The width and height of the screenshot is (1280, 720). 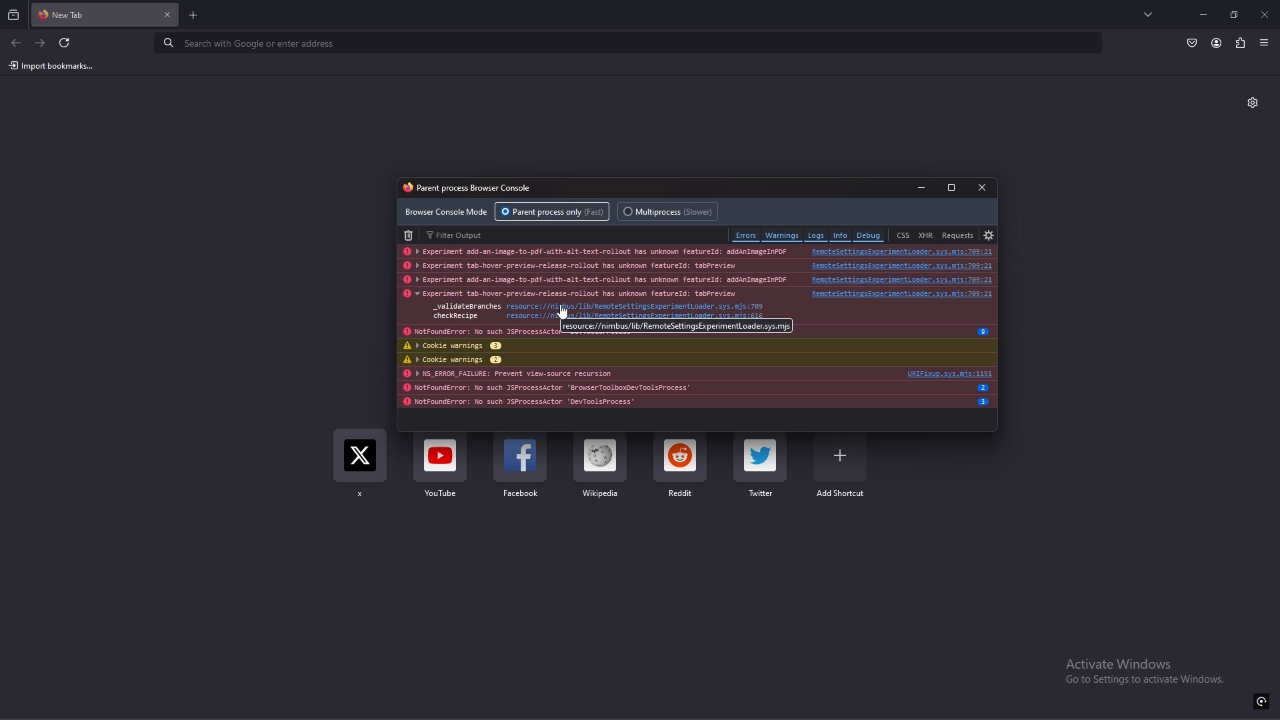 I want to click on cursor, so click(x=563, y=313).